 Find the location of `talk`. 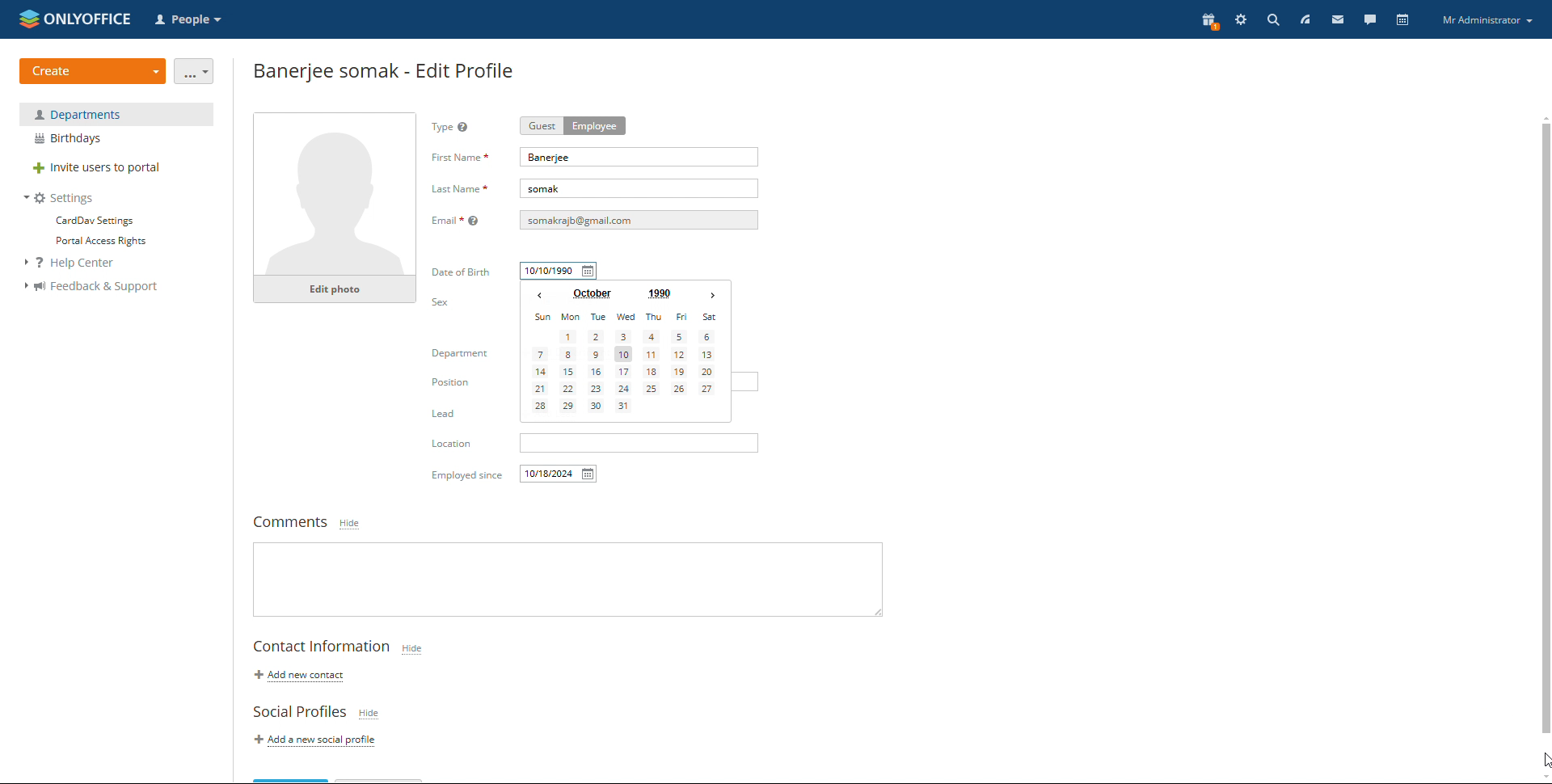

talk is located at coordinates (1369, 19).